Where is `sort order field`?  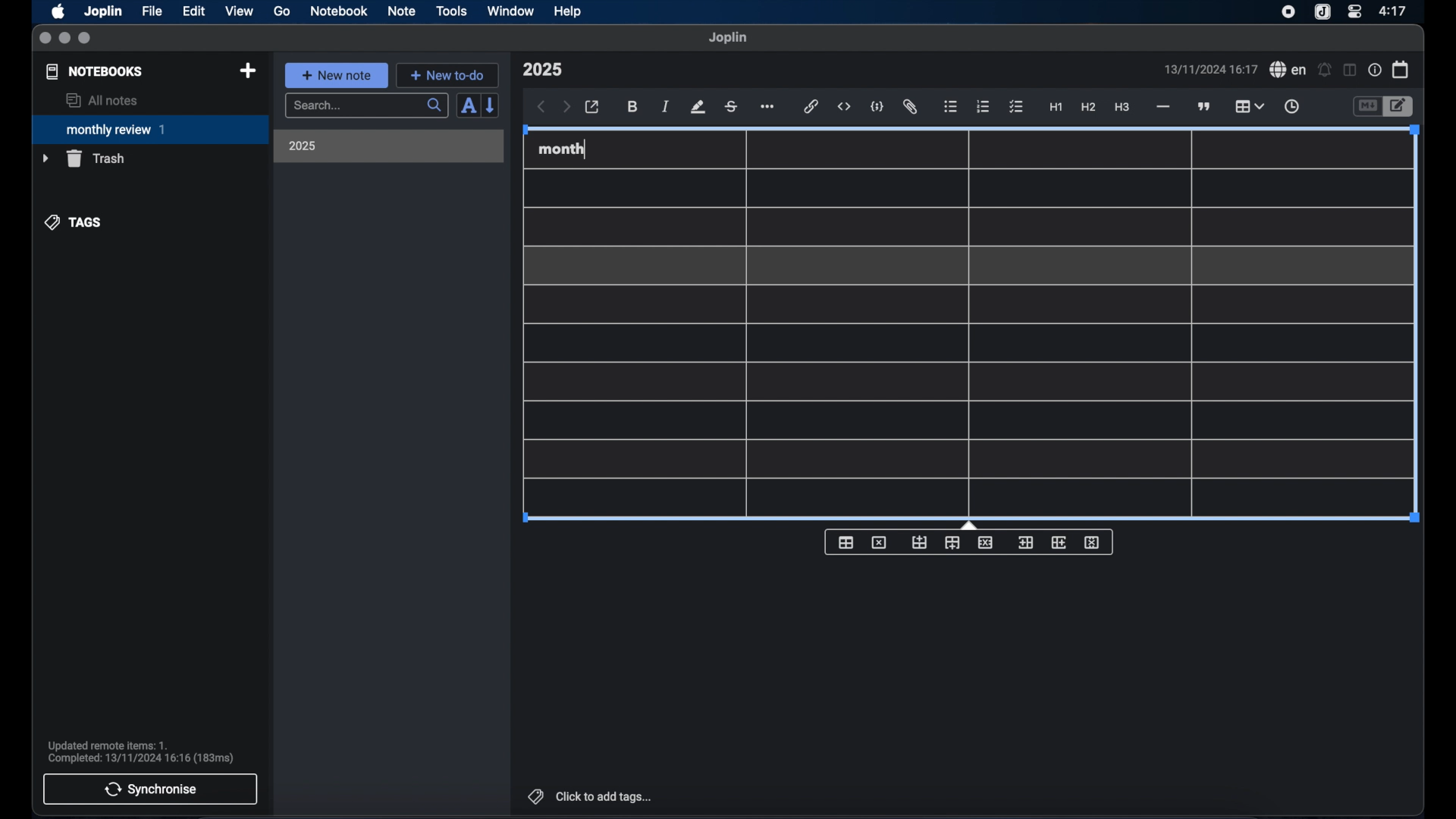 sort order field is located at coordinates (468, 106).